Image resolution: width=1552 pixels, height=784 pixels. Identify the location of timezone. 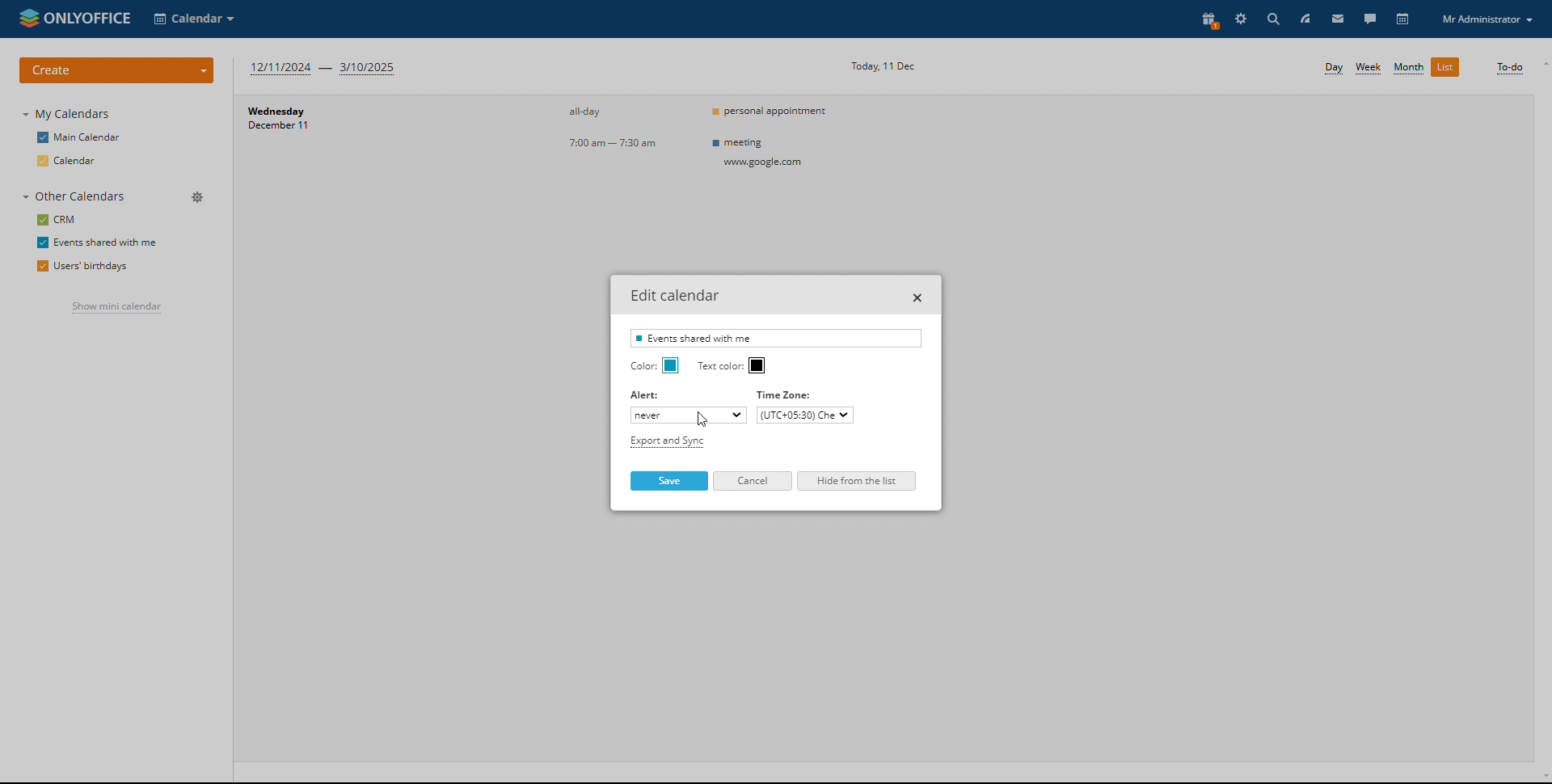
(789, 394).